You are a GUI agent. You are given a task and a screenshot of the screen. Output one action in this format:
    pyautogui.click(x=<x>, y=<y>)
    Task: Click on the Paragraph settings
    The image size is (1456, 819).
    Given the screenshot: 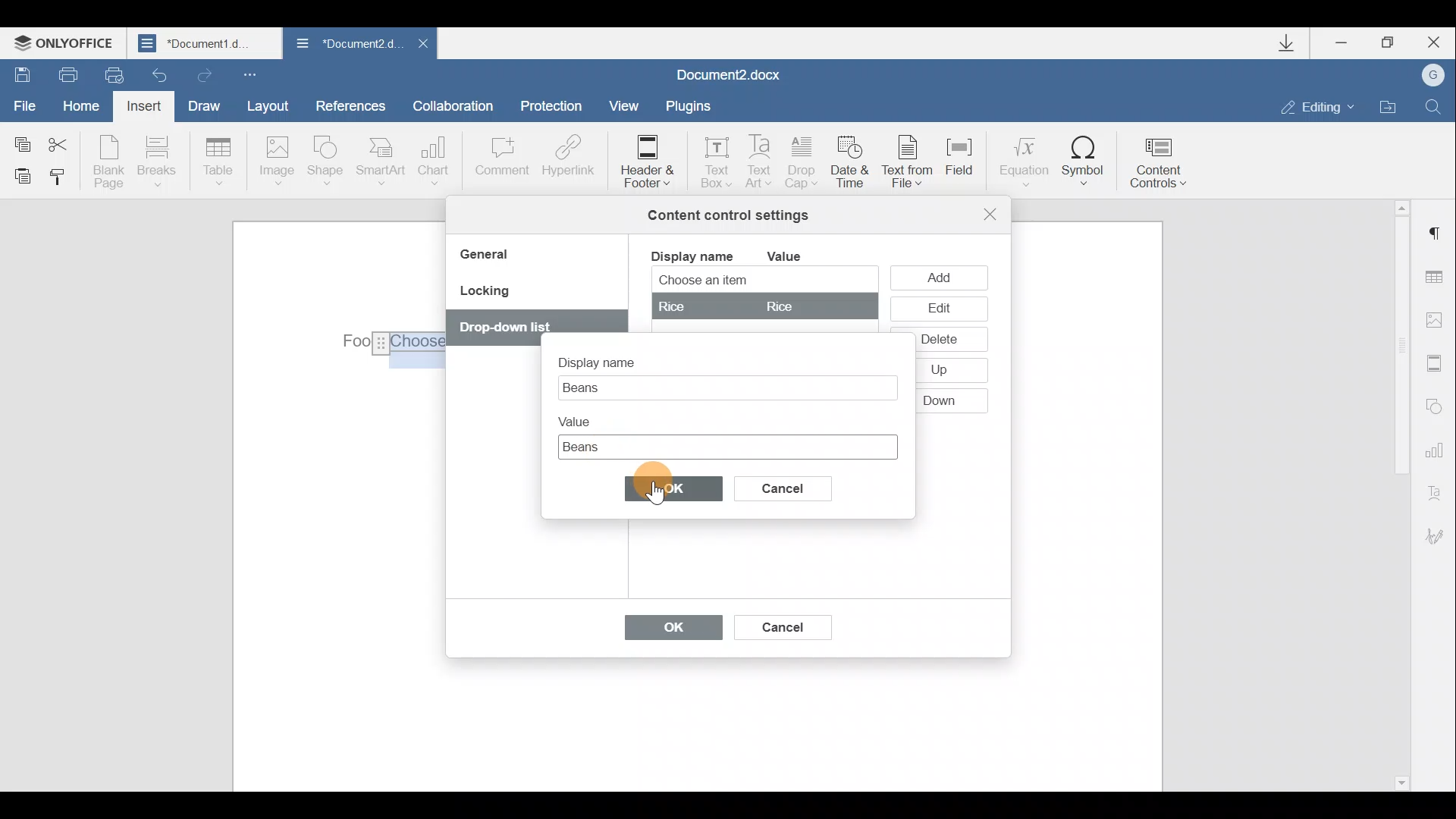 What is the action you would take?
    pyautogui.click(x=1436, y=234)
    